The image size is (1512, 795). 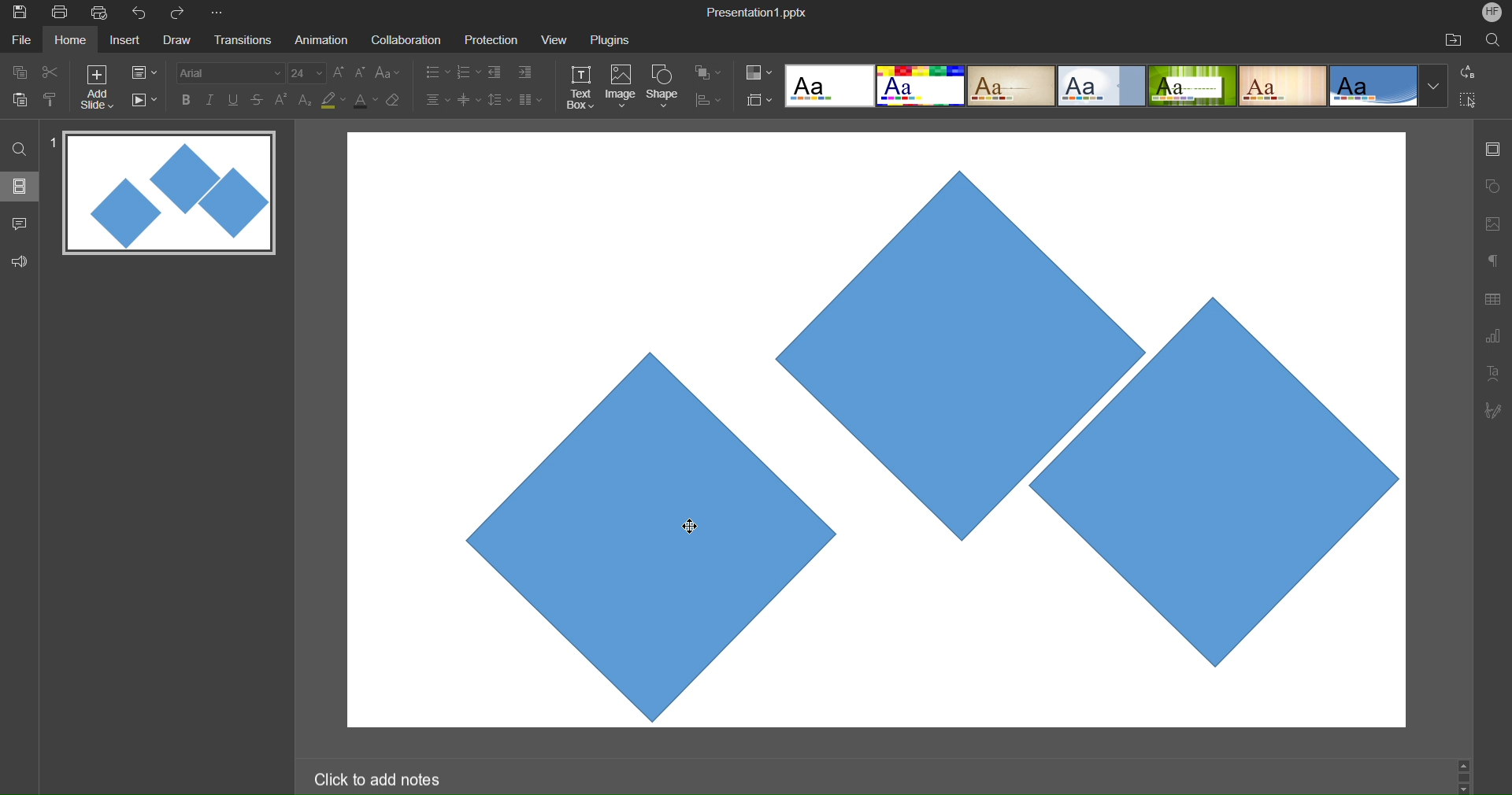 I want to click on Shape Settings, so click(x=1492, y=187).